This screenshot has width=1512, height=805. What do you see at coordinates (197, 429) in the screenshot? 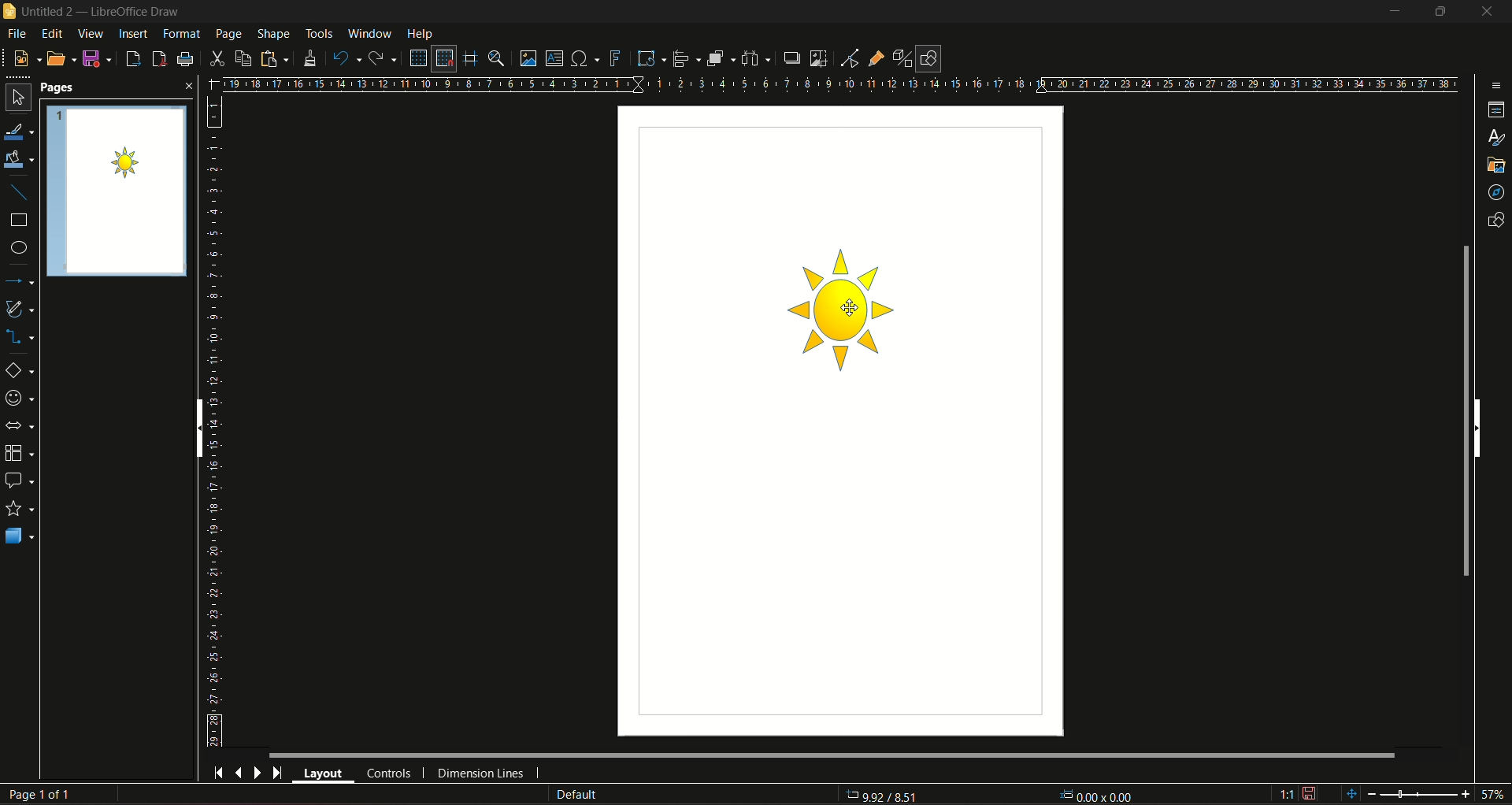
I see `vertical scroll` at bounding box center [197, 429].